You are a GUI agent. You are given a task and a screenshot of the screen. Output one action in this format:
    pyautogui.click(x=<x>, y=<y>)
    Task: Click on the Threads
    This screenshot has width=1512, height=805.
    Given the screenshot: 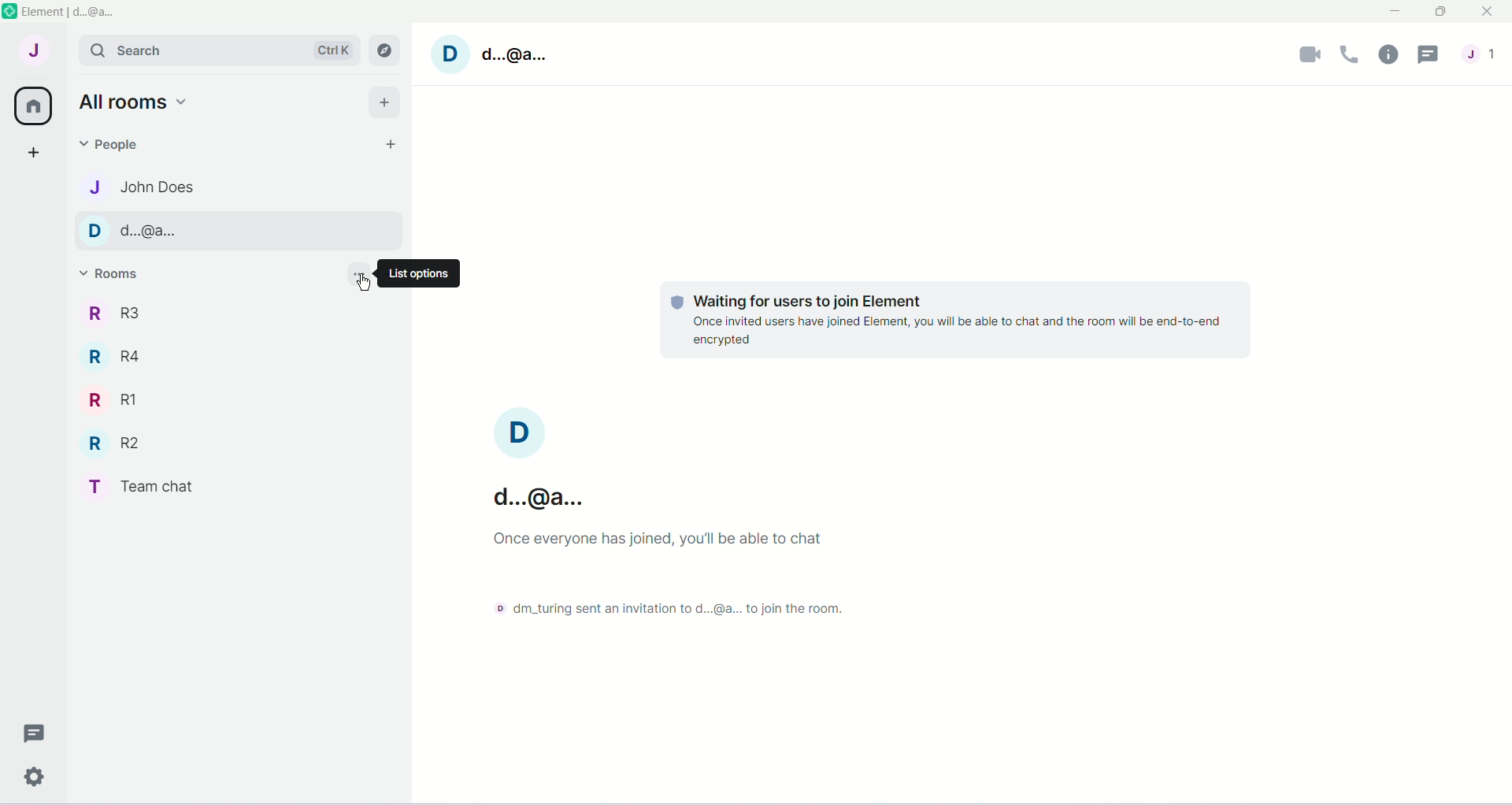 What is the action you would take?
    pyautogui.click(x=1432, y=54)
    